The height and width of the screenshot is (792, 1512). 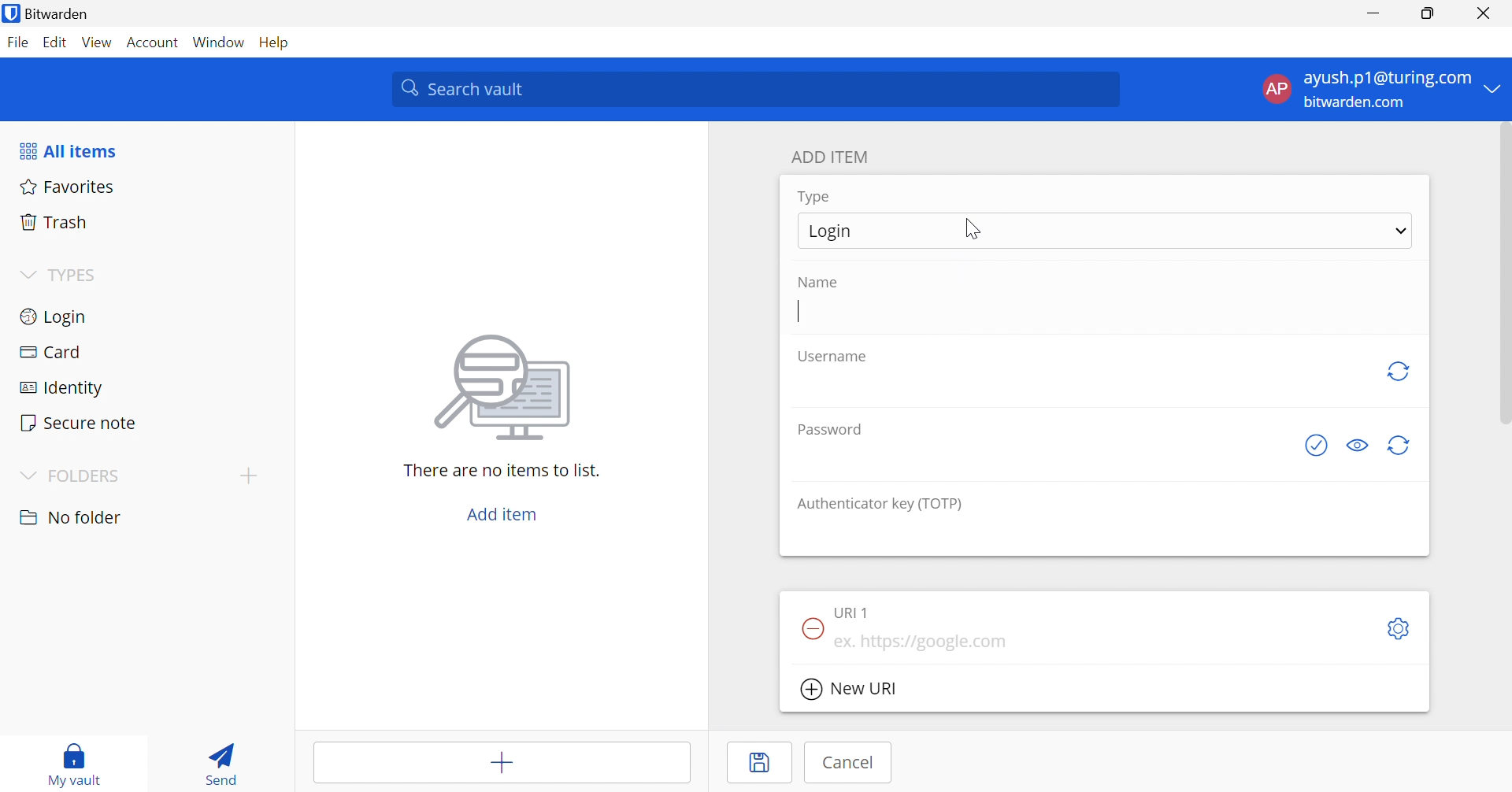 I want to click on S, so click(x=835, y=355).